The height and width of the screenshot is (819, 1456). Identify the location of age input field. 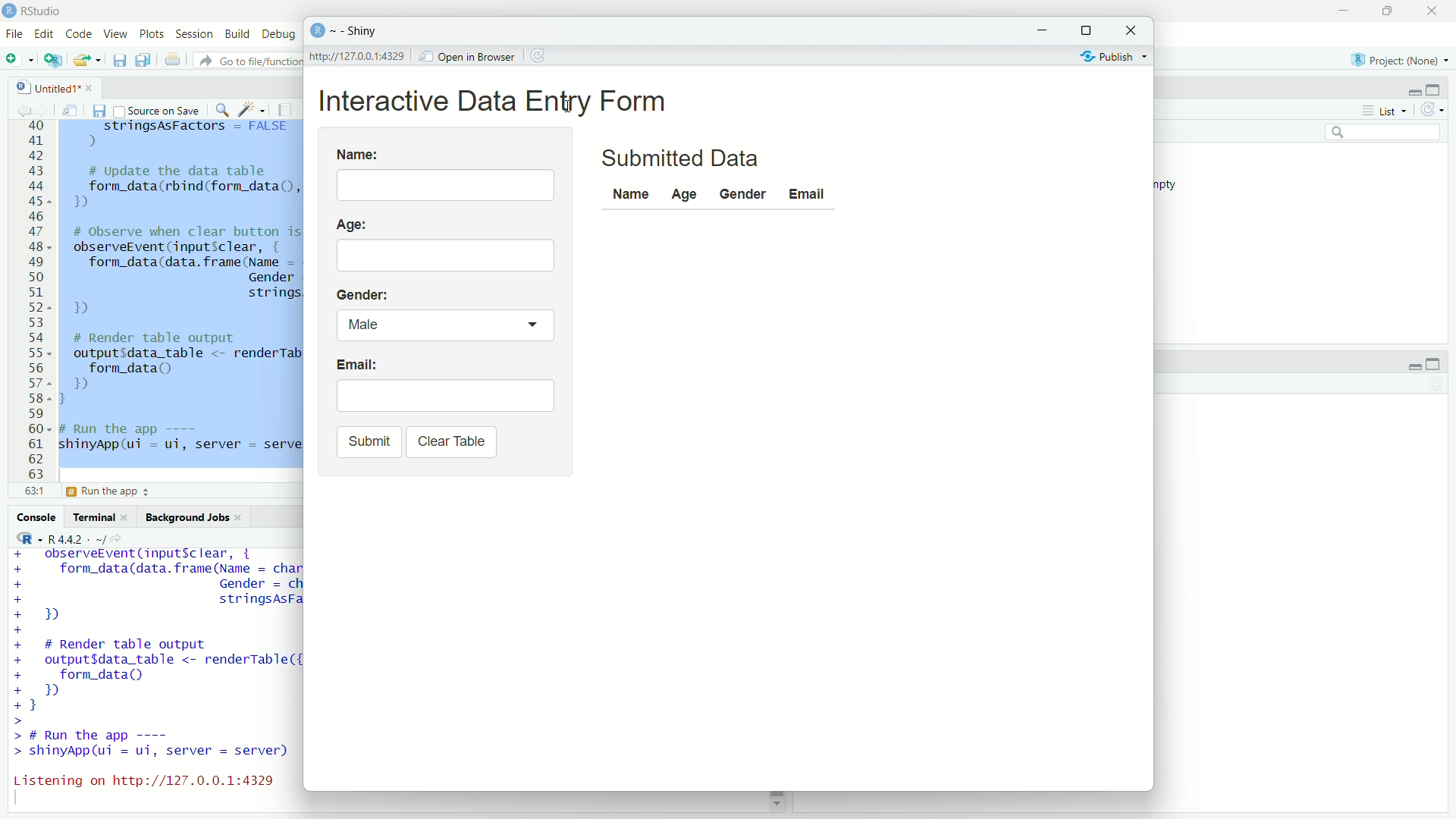
(446, 253).